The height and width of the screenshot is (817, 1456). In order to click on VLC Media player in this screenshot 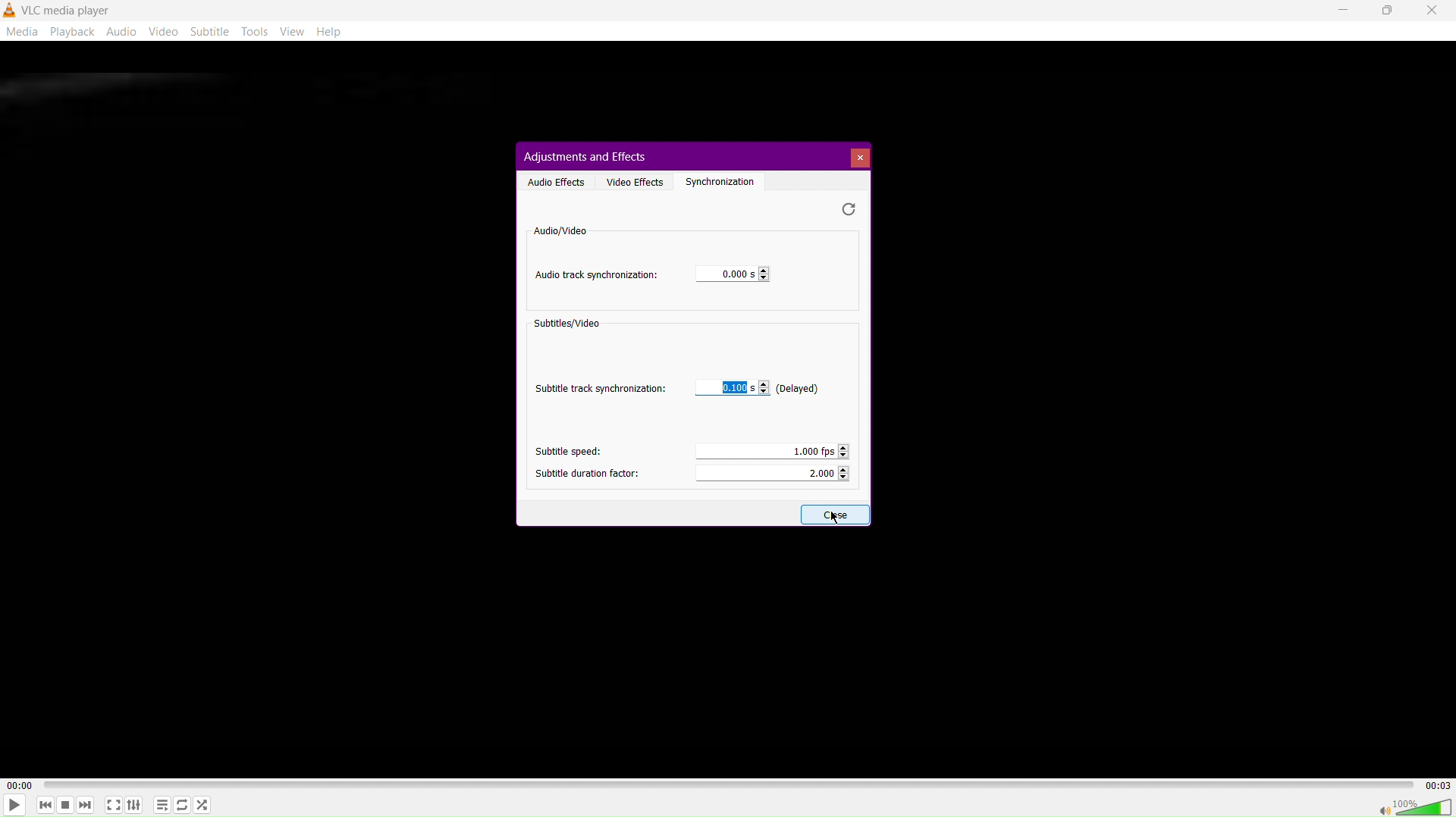, I will do `click(59, 9)`.